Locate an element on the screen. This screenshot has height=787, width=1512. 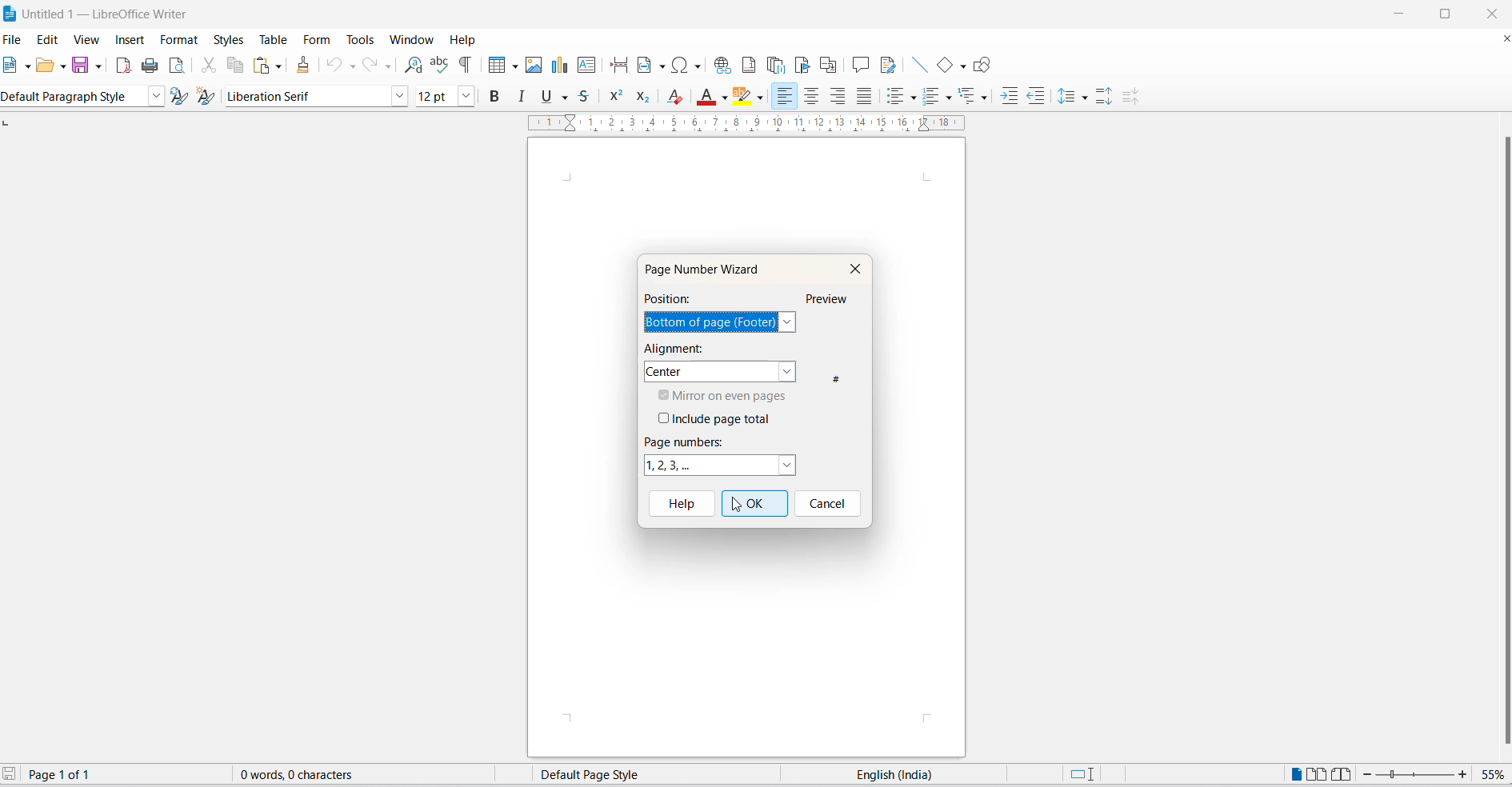
0 words, 0 characters is located at coordinates (311, 776).